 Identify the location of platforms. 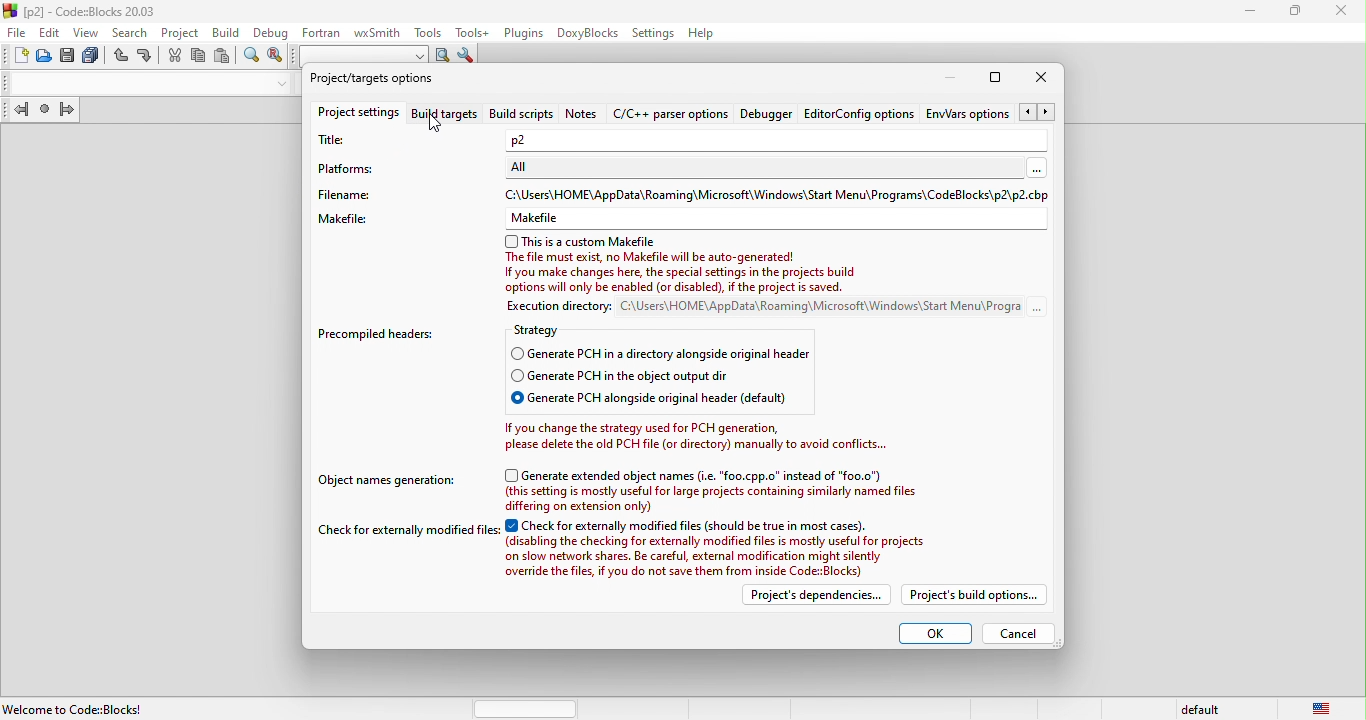
(395, 171).